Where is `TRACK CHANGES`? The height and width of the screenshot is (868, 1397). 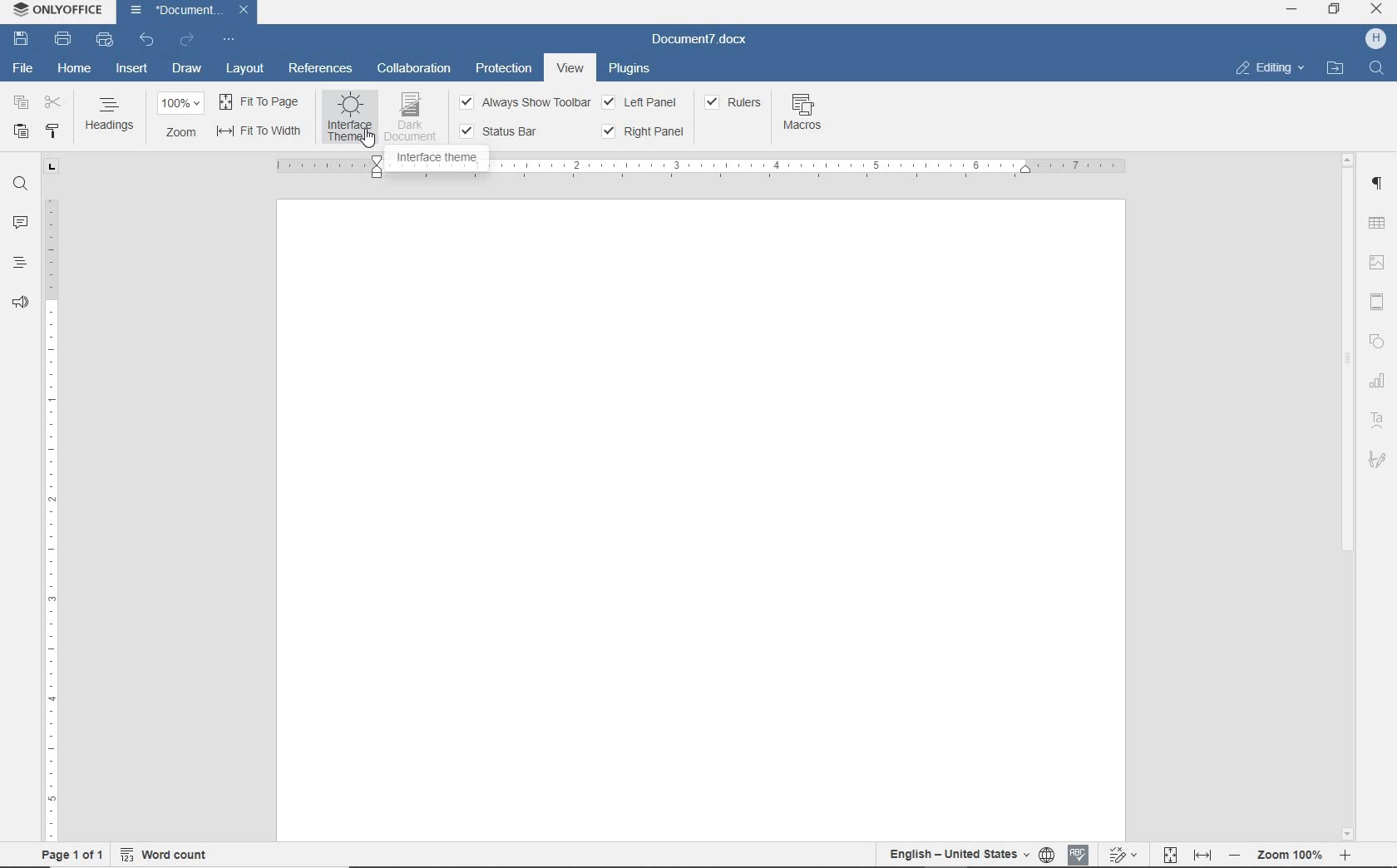 TRACK CHANGES is located at coordinates (1128, 854).